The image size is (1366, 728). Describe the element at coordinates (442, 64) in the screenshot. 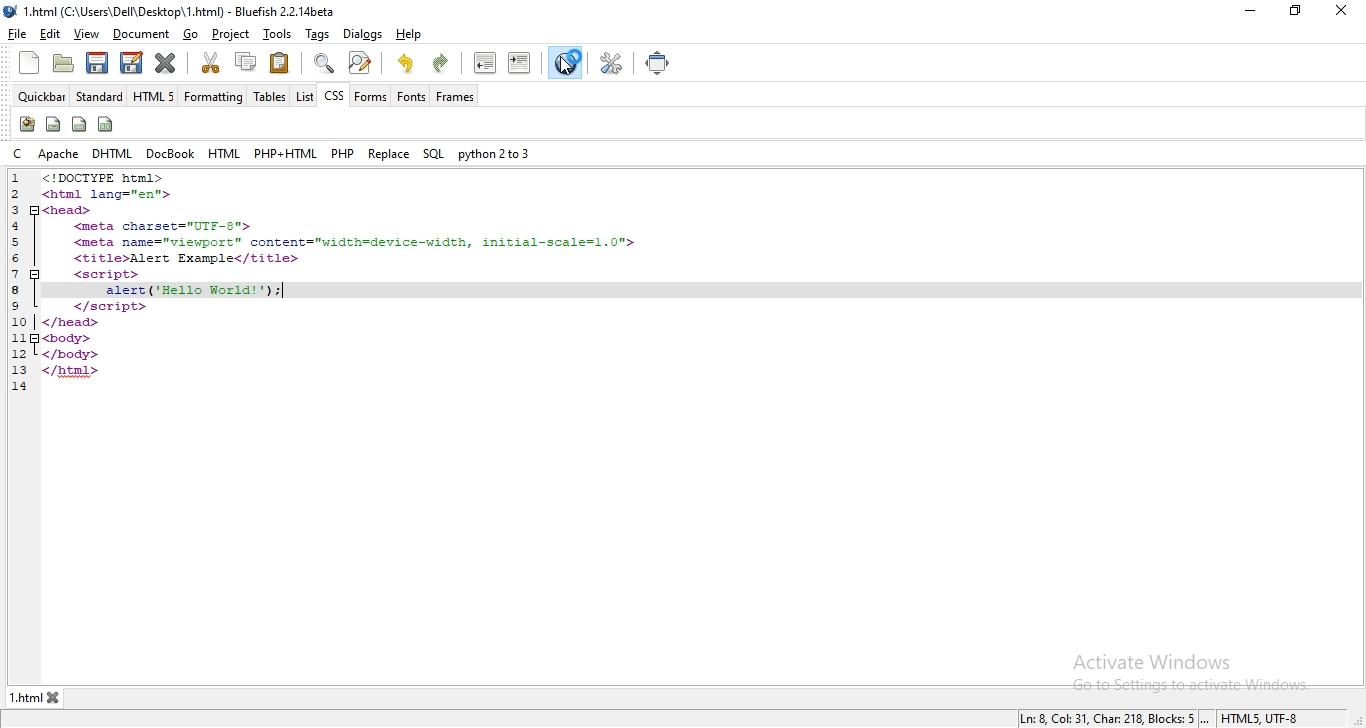

I see `redo` at that location.